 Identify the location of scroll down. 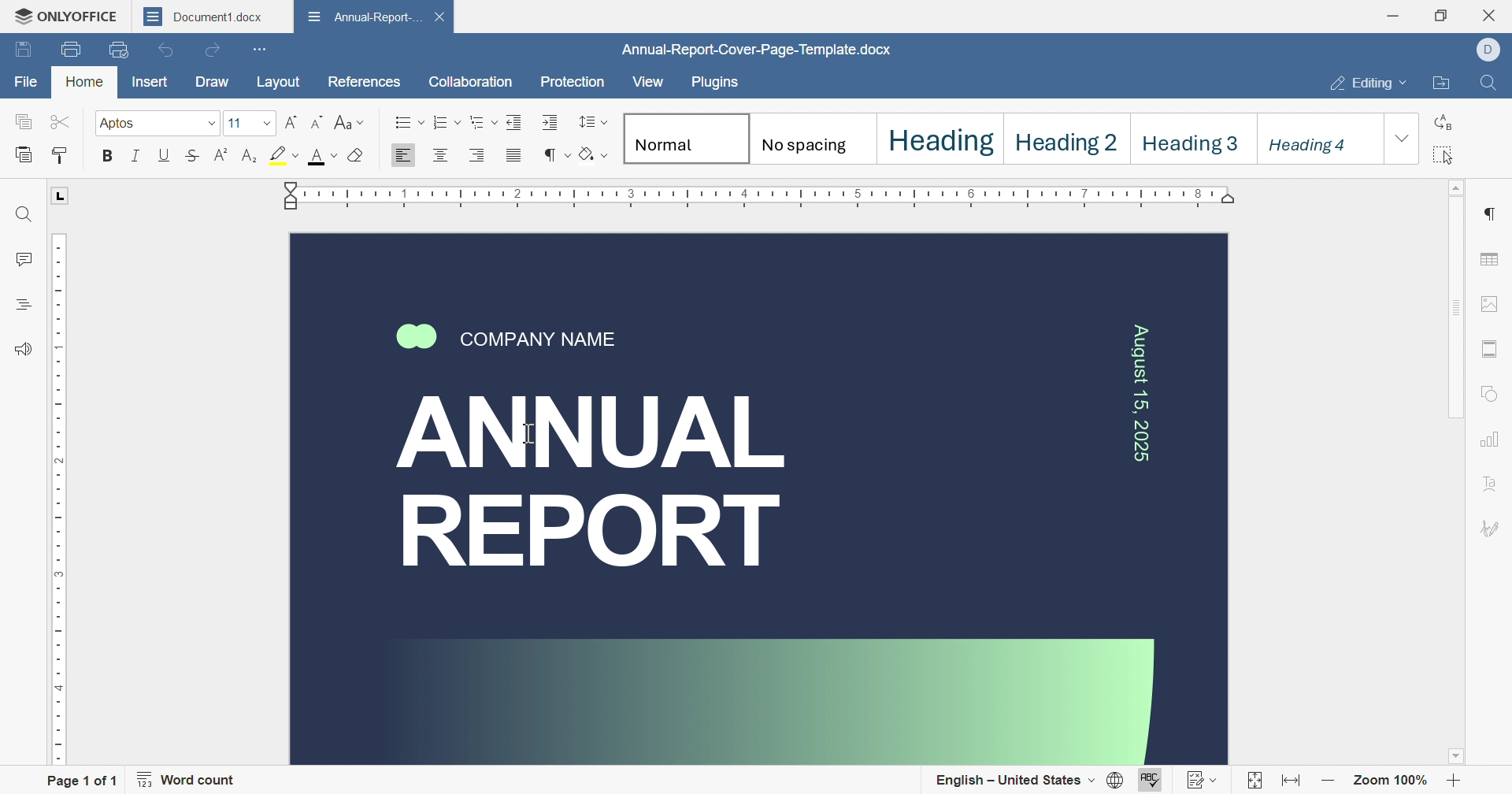
(1461, 762).